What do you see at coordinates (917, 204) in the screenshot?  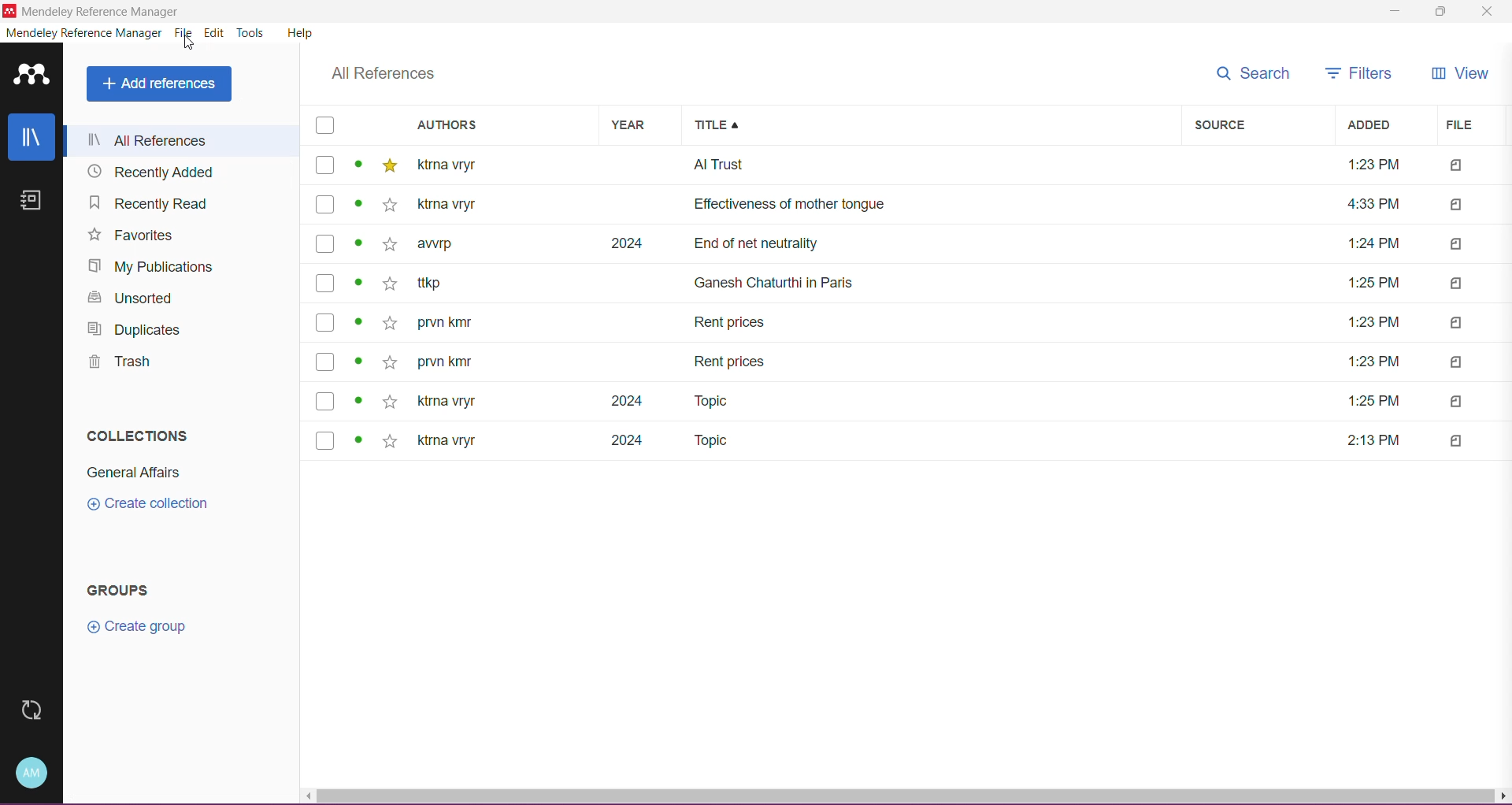 I see `ktrna vryr Effectiveness of mother tongue 4:33 PM` at bounding box center [917, 204].